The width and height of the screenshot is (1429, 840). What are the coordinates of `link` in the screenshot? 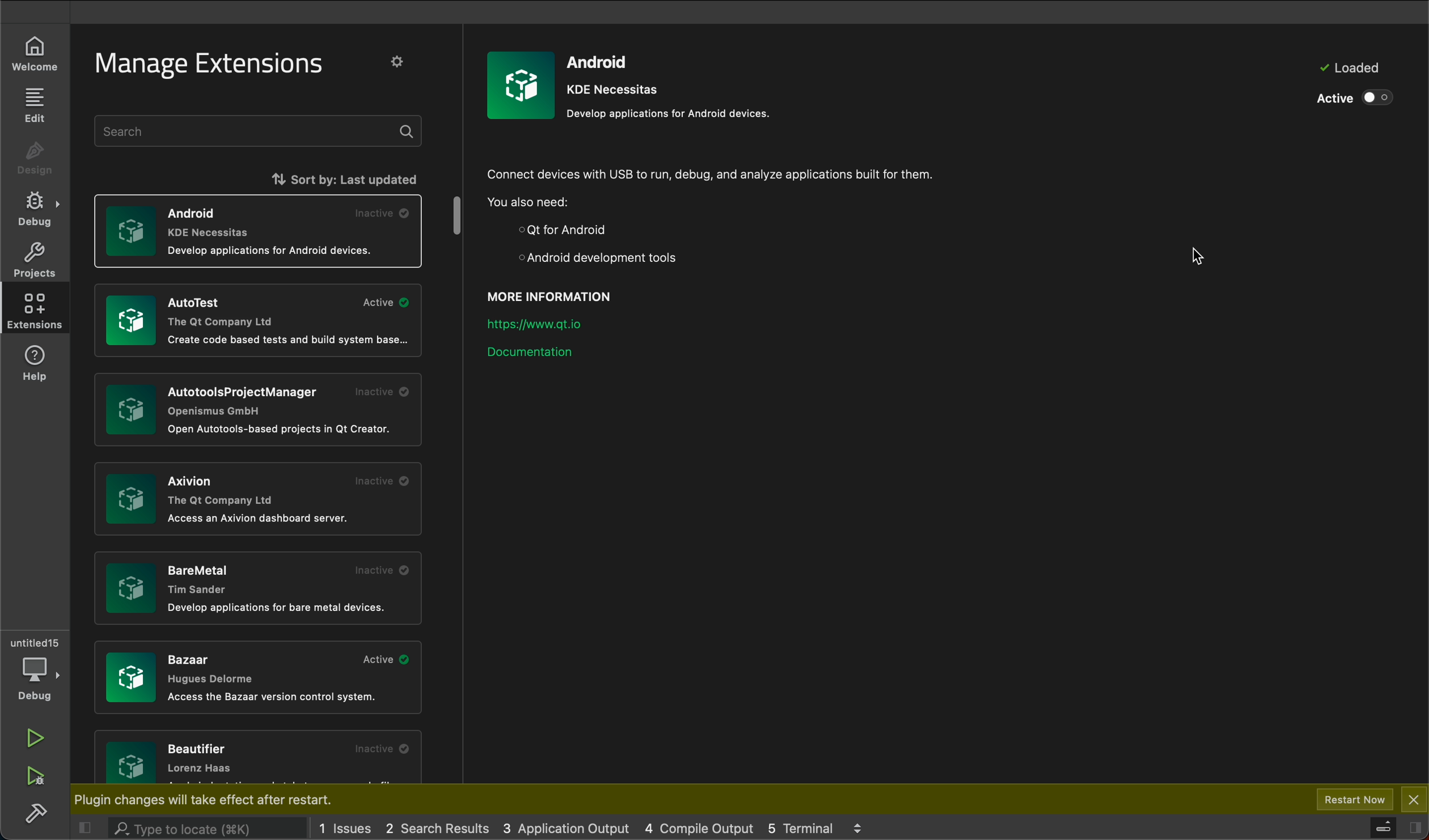 It's located at (546, 321).